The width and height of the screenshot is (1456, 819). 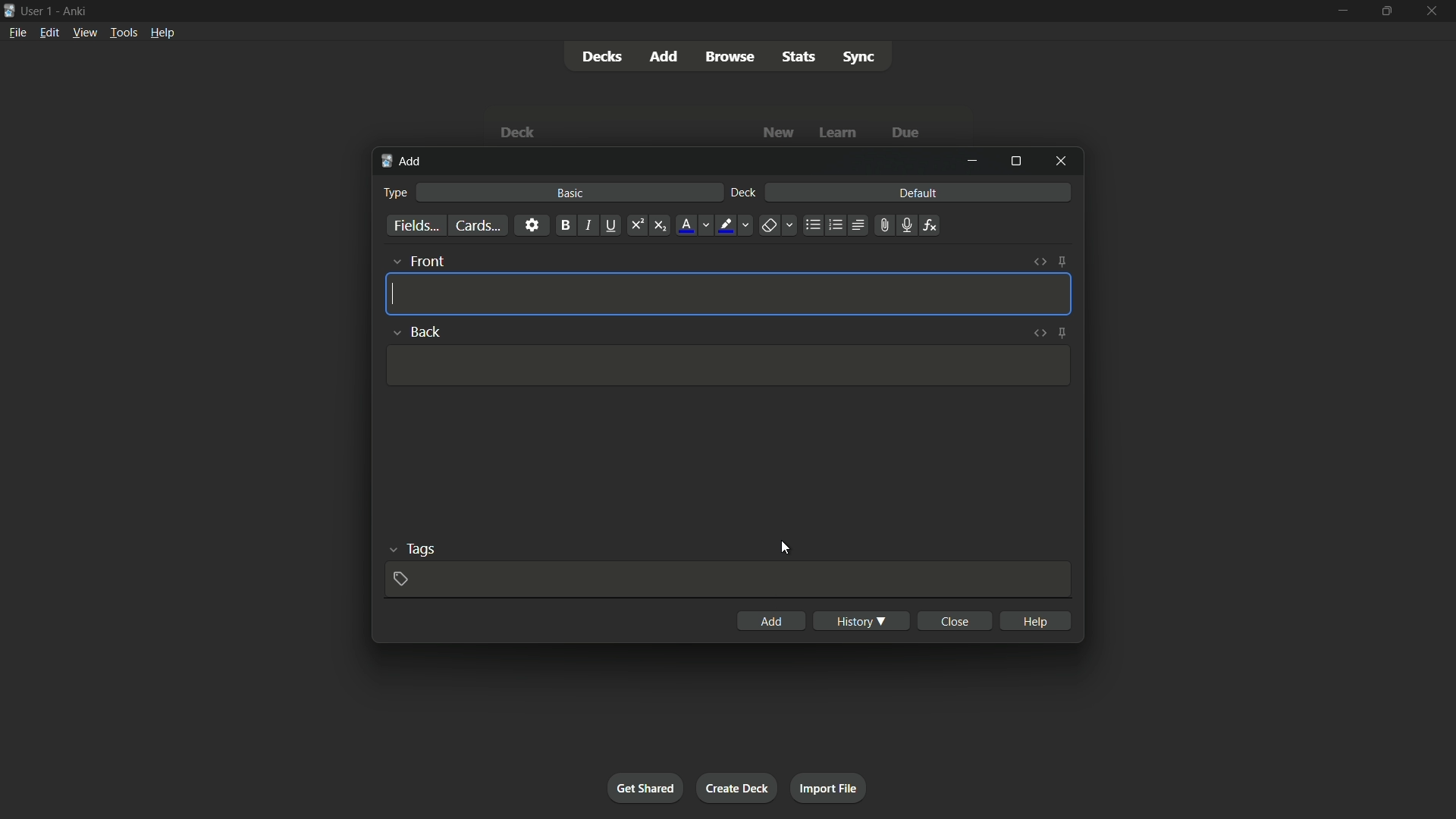 I want to click on unordered list, so click(x=814, y=225).